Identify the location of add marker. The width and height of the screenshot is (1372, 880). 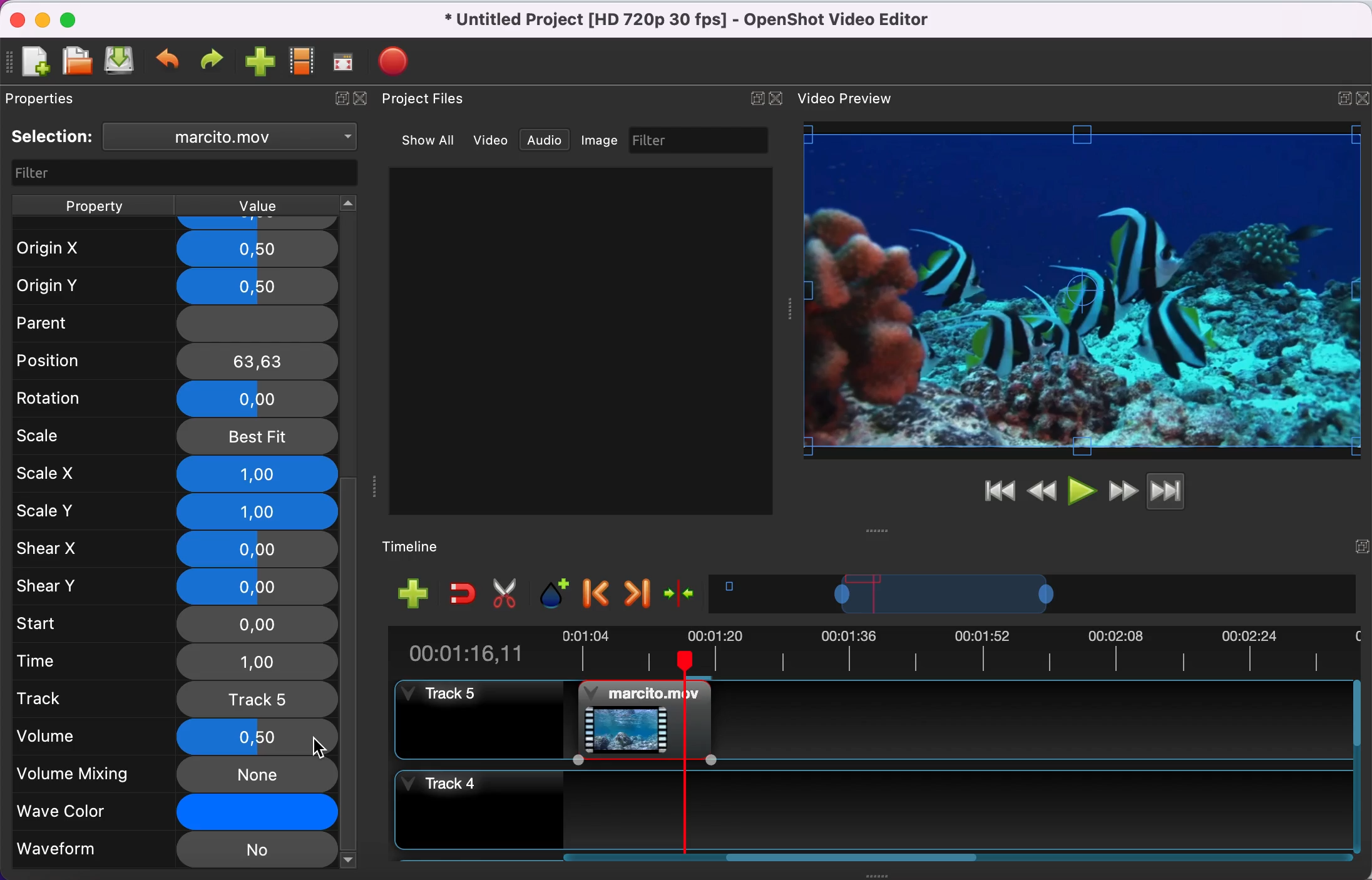
(555, 593).